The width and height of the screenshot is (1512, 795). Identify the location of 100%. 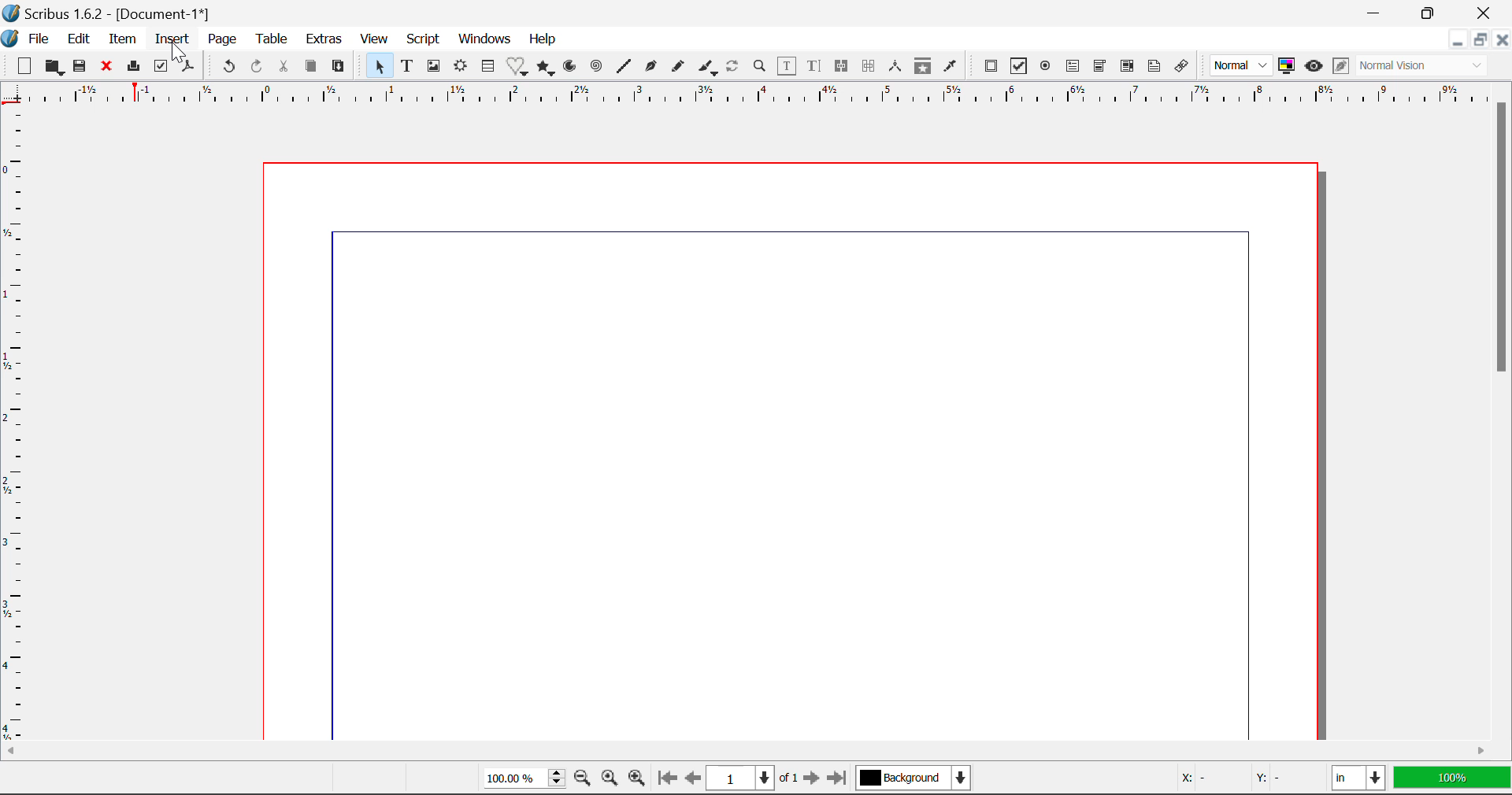
(1451, 779).